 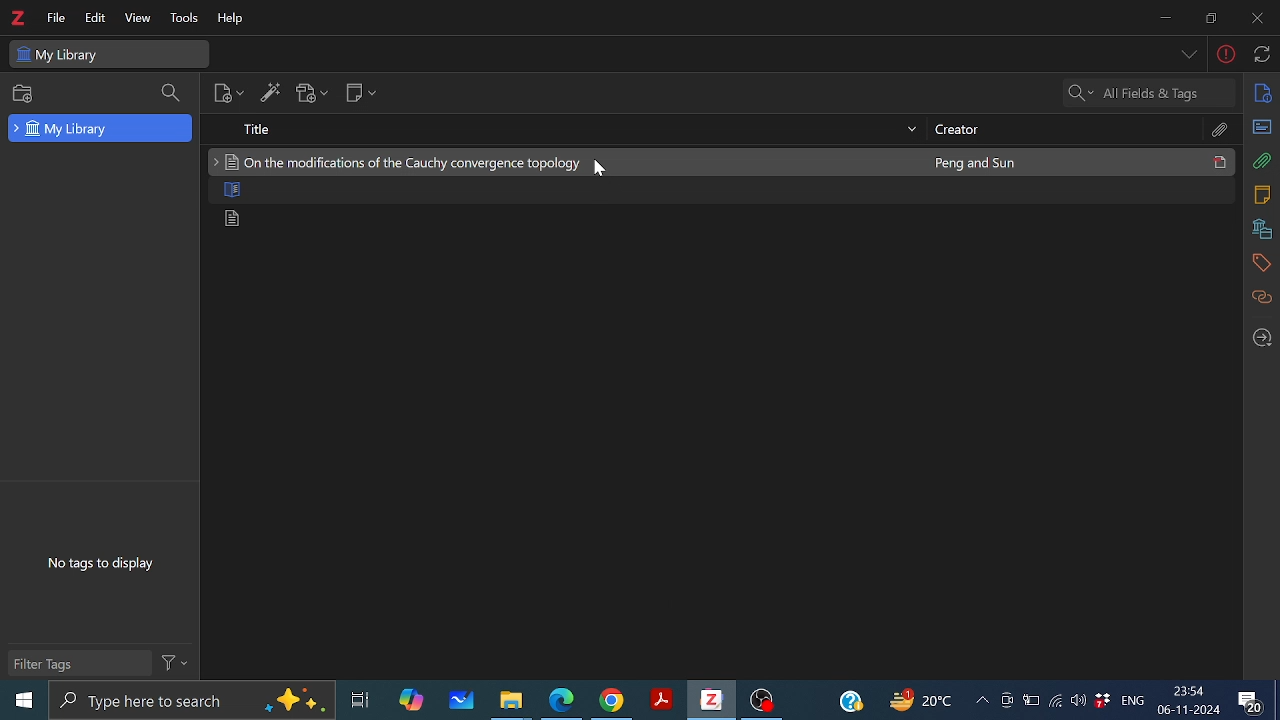 What do you see at coordinates (273, 96) in the screenshot?
I see `Add items` at bounding box center [273, 96].